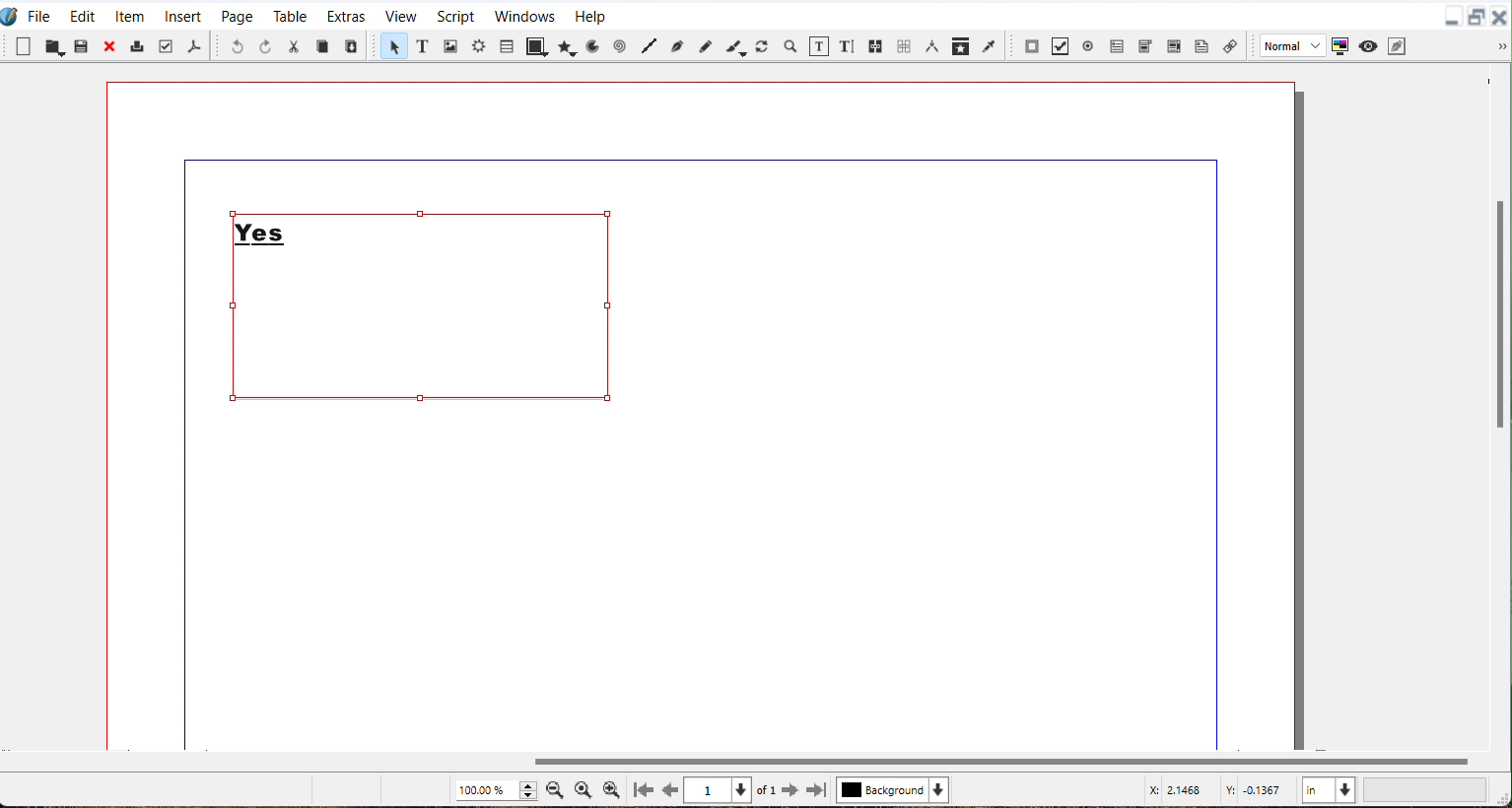  What do you see at coordinates (590, 15) in the screenshot?
I see `Help` at bounding box center [590, 15].